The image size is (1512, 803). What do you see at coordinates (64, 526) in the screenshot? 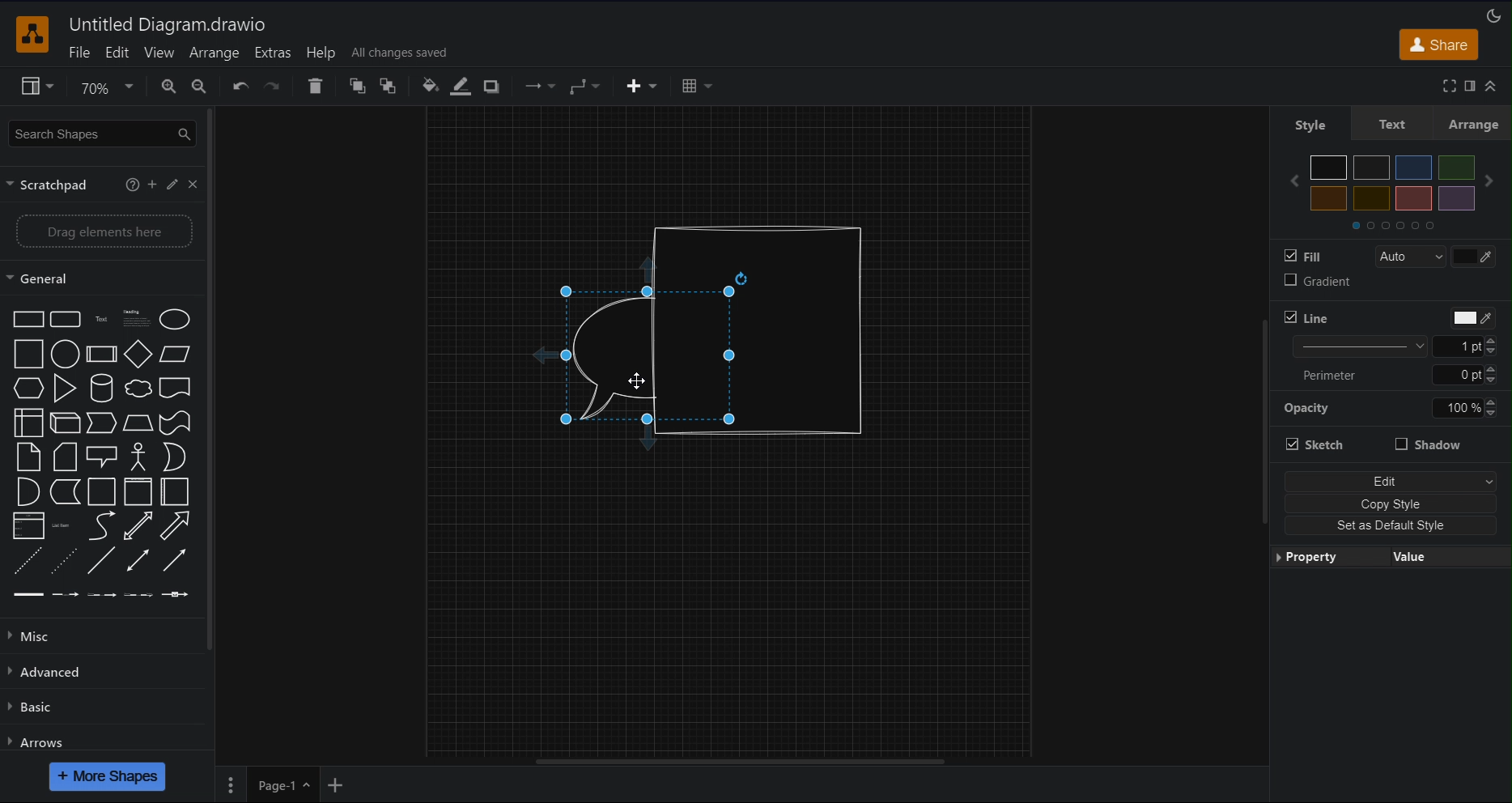
I see `List item` at bounding box center [64, 526].